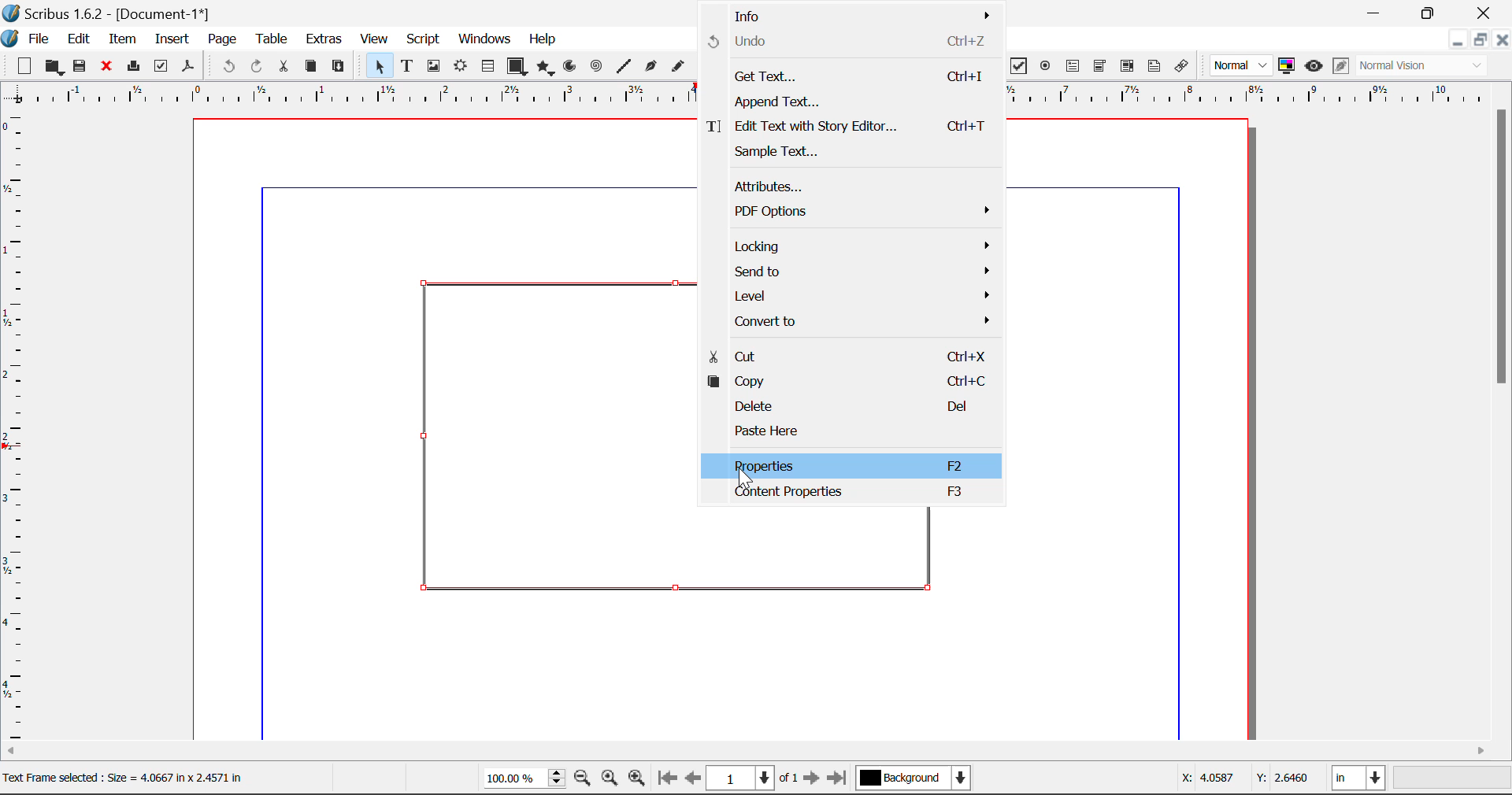  What do you see at coordinates (285, 66) in the screenshot?
I see `Cut` at bounding box center [285, 66].